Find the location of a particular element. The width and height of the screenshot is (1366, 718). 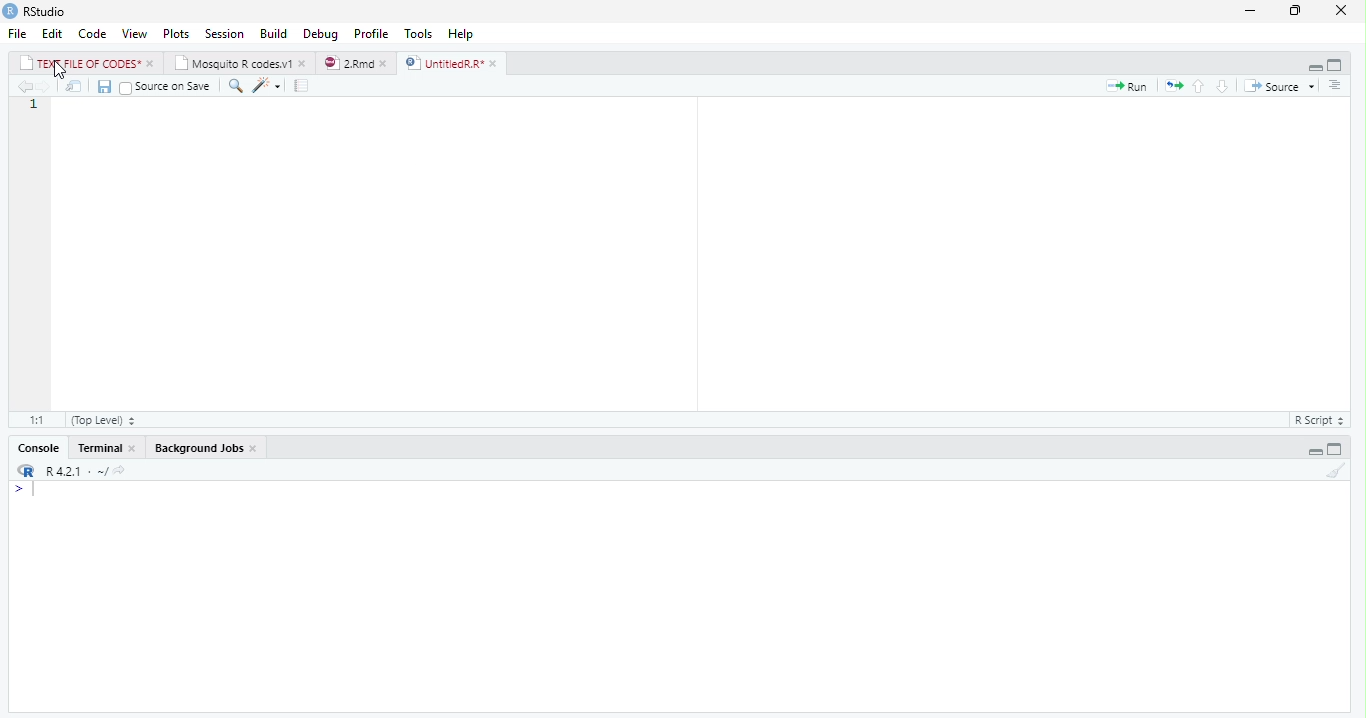

R 4.2.1 - ~/ is located at coordinates (78, 470).